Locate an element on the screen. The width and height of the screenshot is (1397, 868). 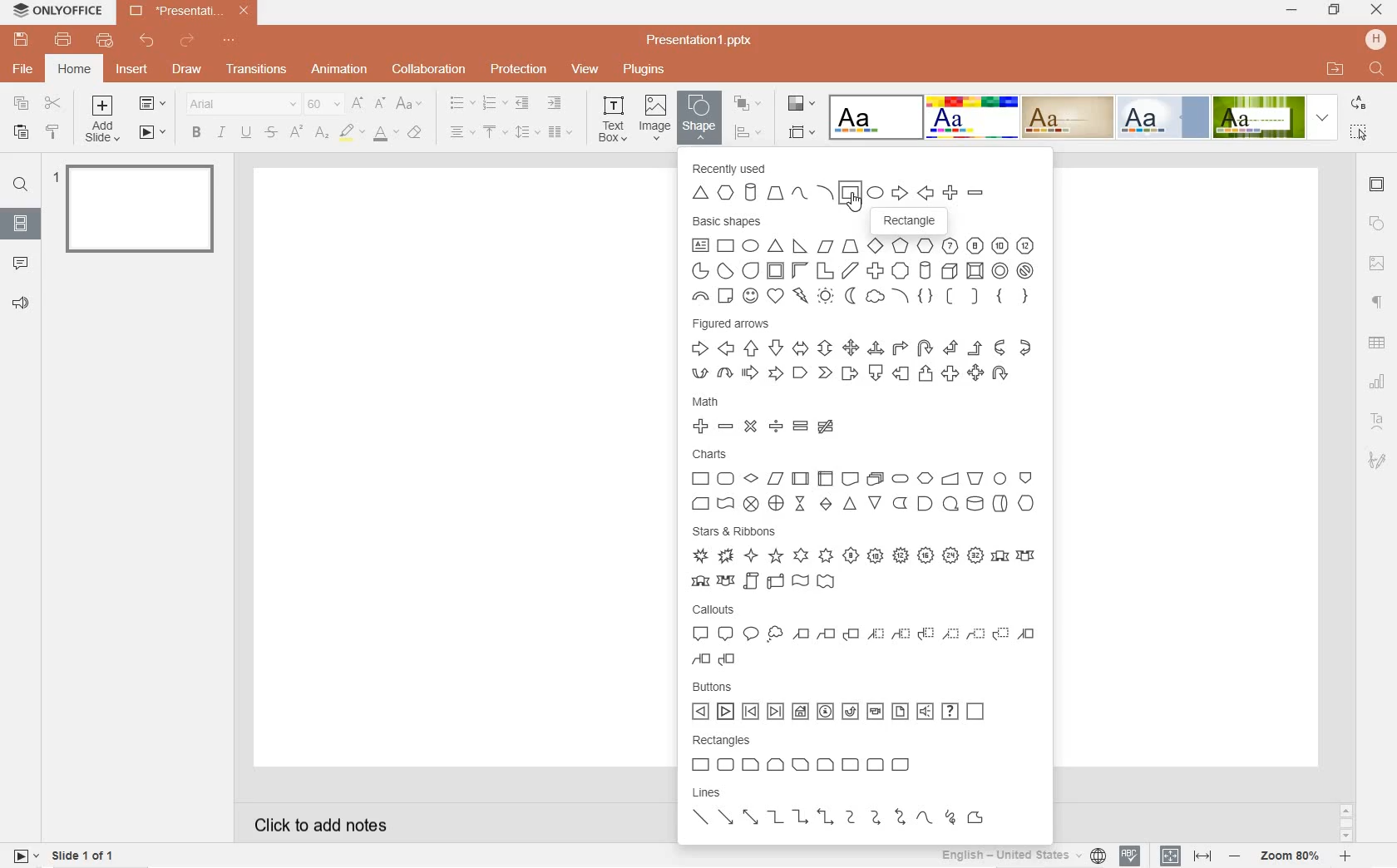
Freeform is located at coordinates (977, 820).